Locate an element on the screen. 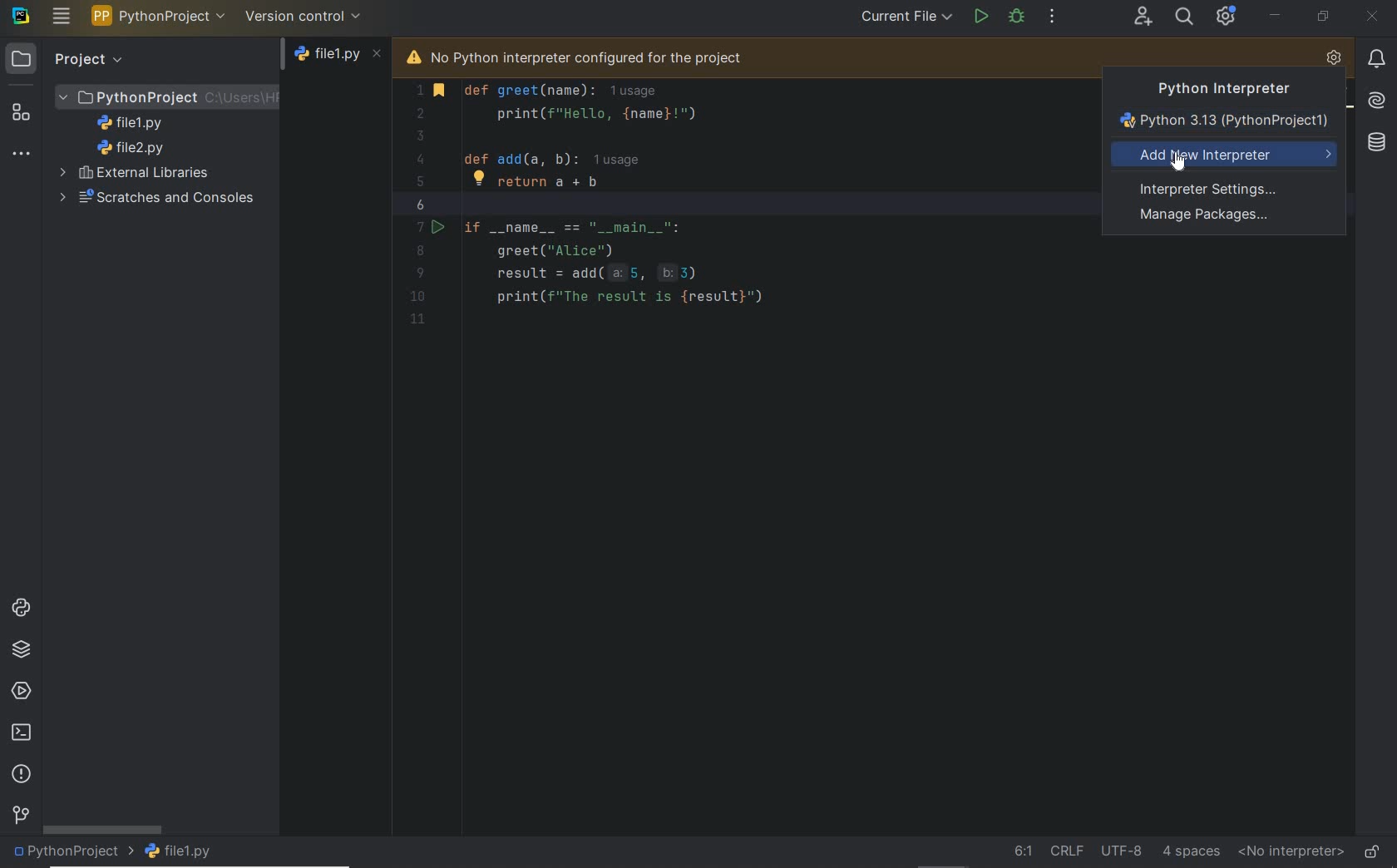 The width and height of the screenshot is (1397, 868). external libraries is located at coordinates (138, 172).